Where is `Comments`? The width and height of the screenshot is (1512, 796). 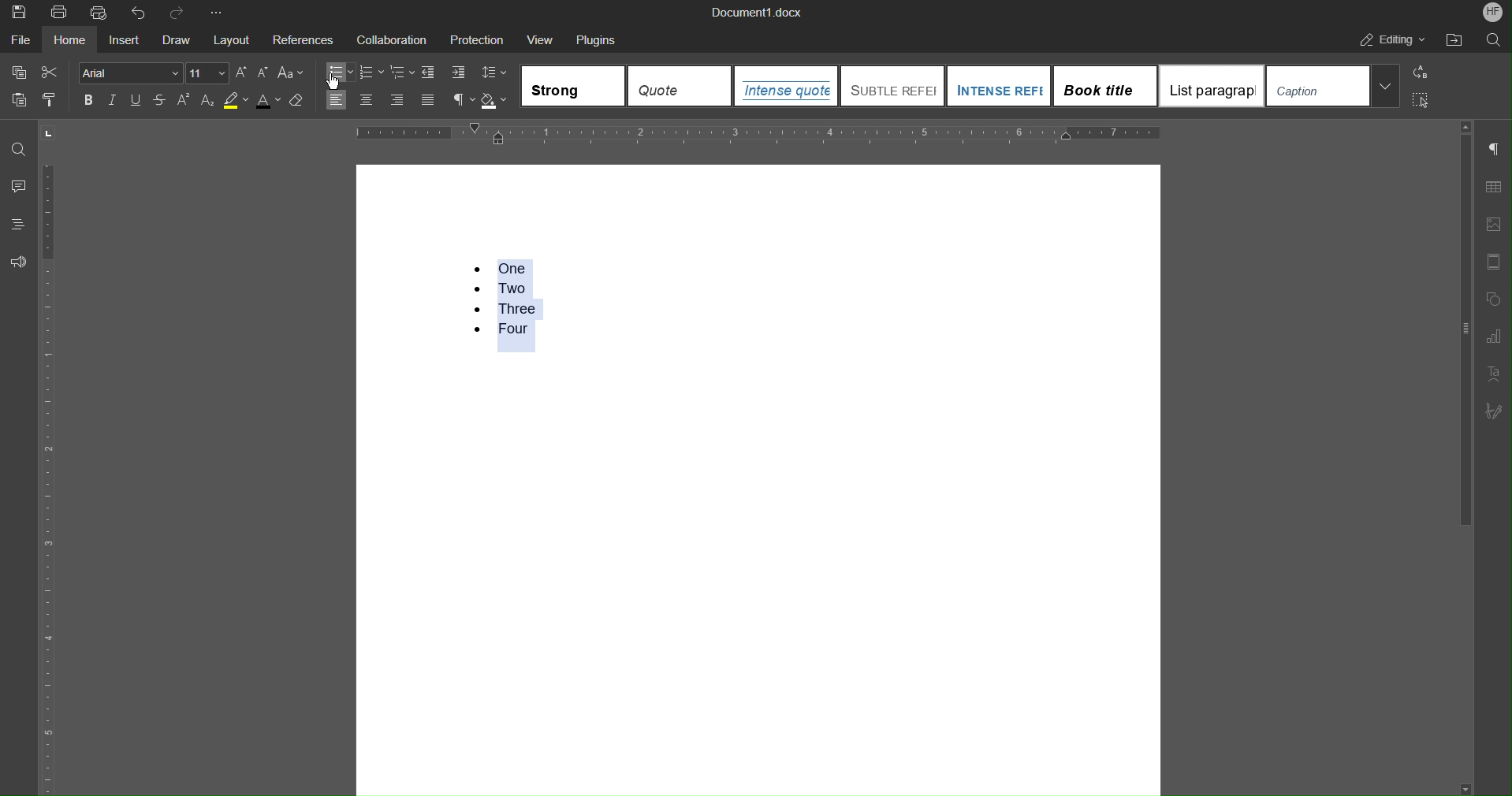 Comments is located at coordinates (19, 186).